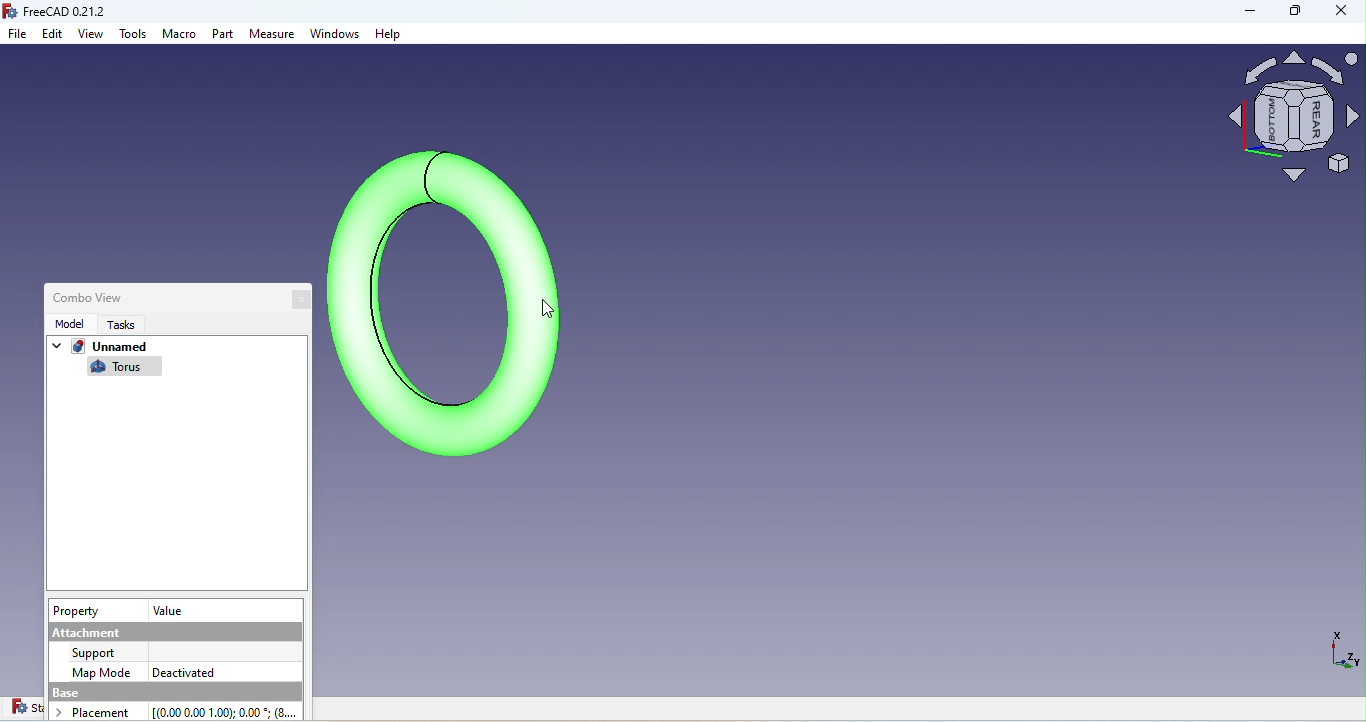  What do you see at coordinates (1241, 14) in the screenshot?
I see `Minimize` at bounding box center [1241, 14].